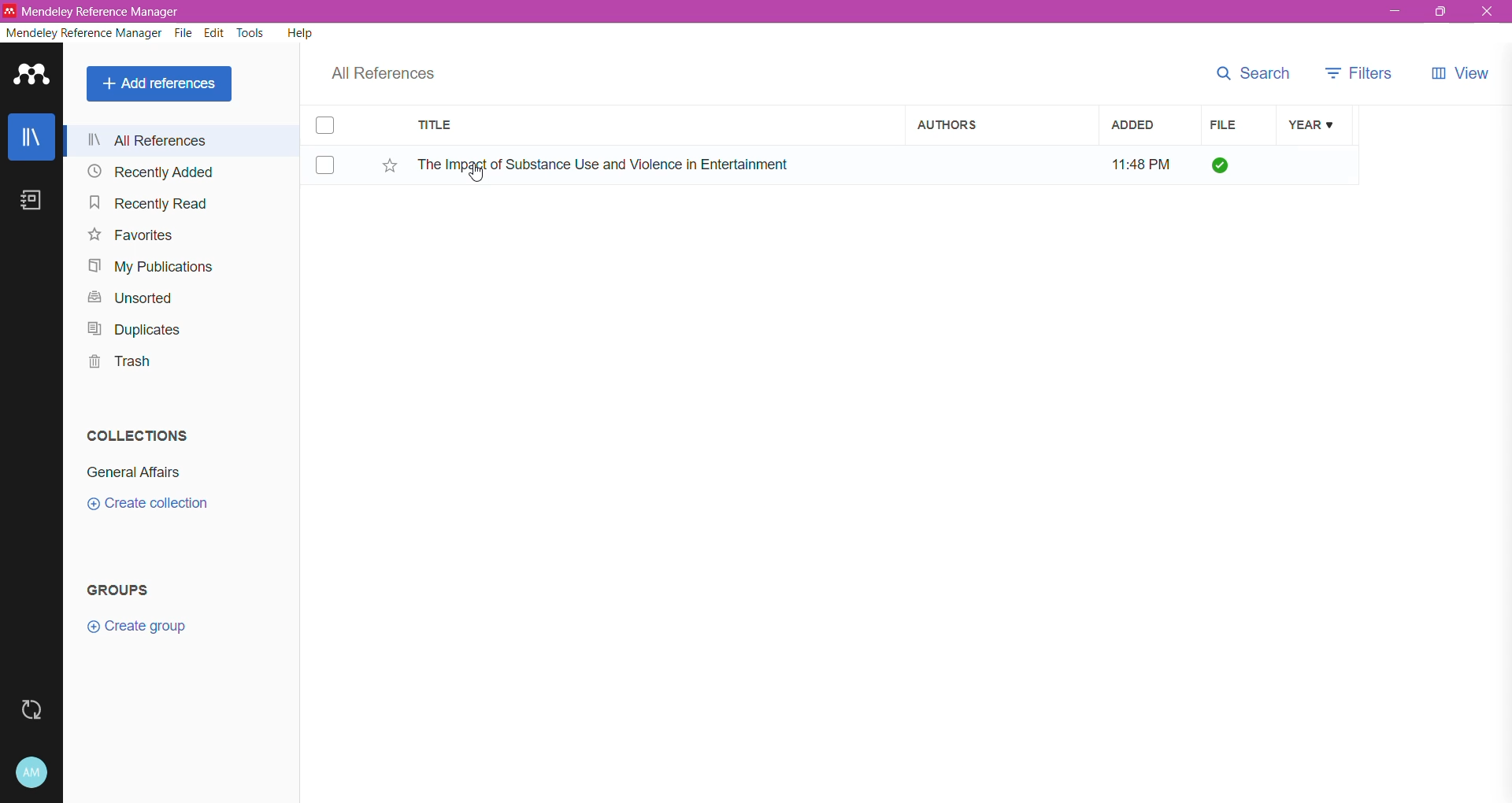 Image resolution: width=1512 pixels, height=803 pixels. I want to click on Year of the Item, so click(1317, 162).